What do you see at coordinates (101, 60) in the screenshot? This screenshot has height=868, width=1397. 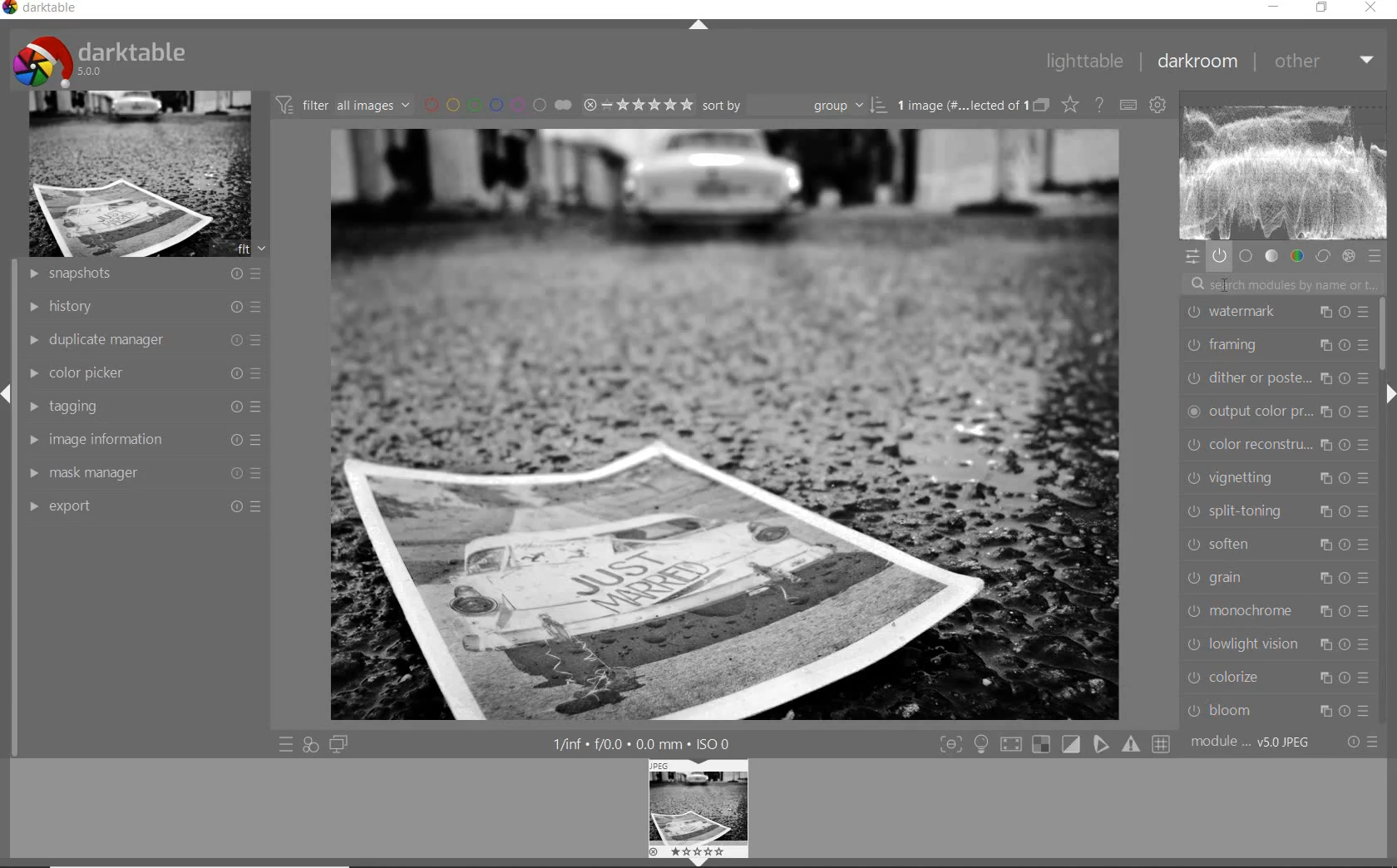 I see `darktable` at bounding box center [101, 60].